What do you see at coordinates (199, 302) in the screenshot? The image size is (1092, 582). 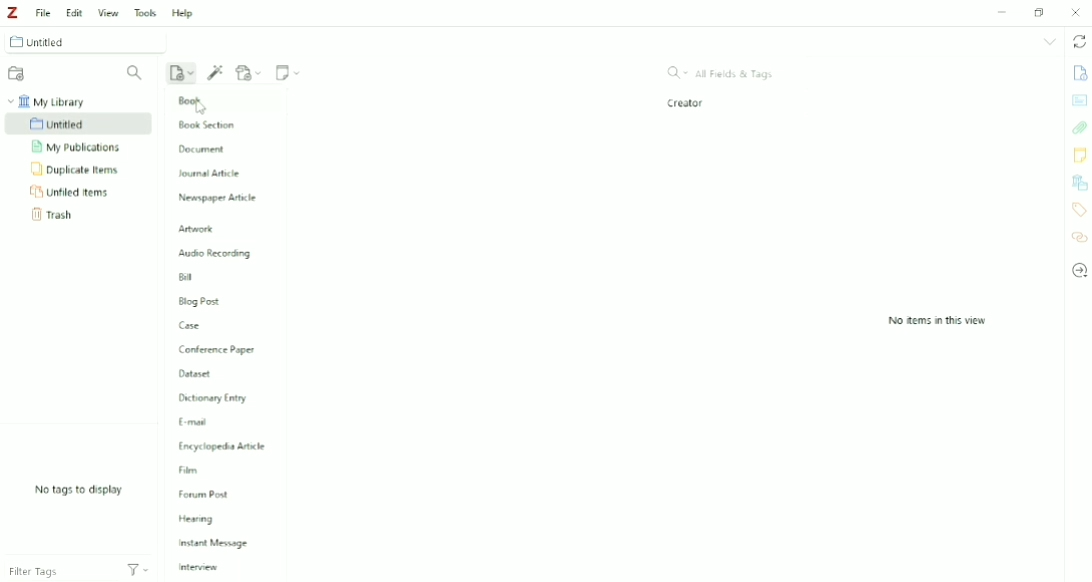 I see `Blog Post` at bounding box center [199, 302].